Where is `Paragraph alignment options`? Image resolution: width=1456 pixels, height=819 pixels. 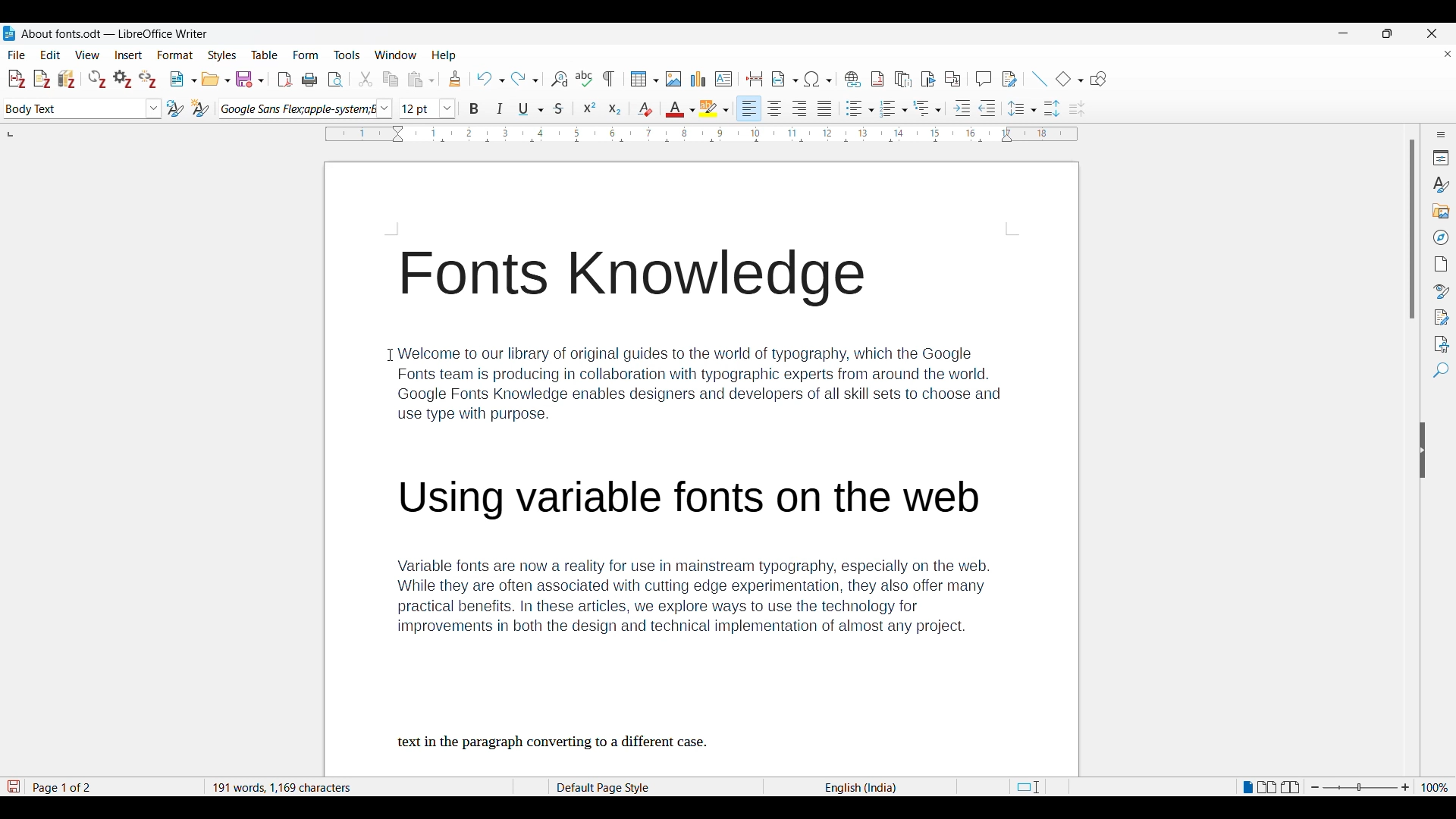 Paragraph alignment options is located at coordinates (786, 108).